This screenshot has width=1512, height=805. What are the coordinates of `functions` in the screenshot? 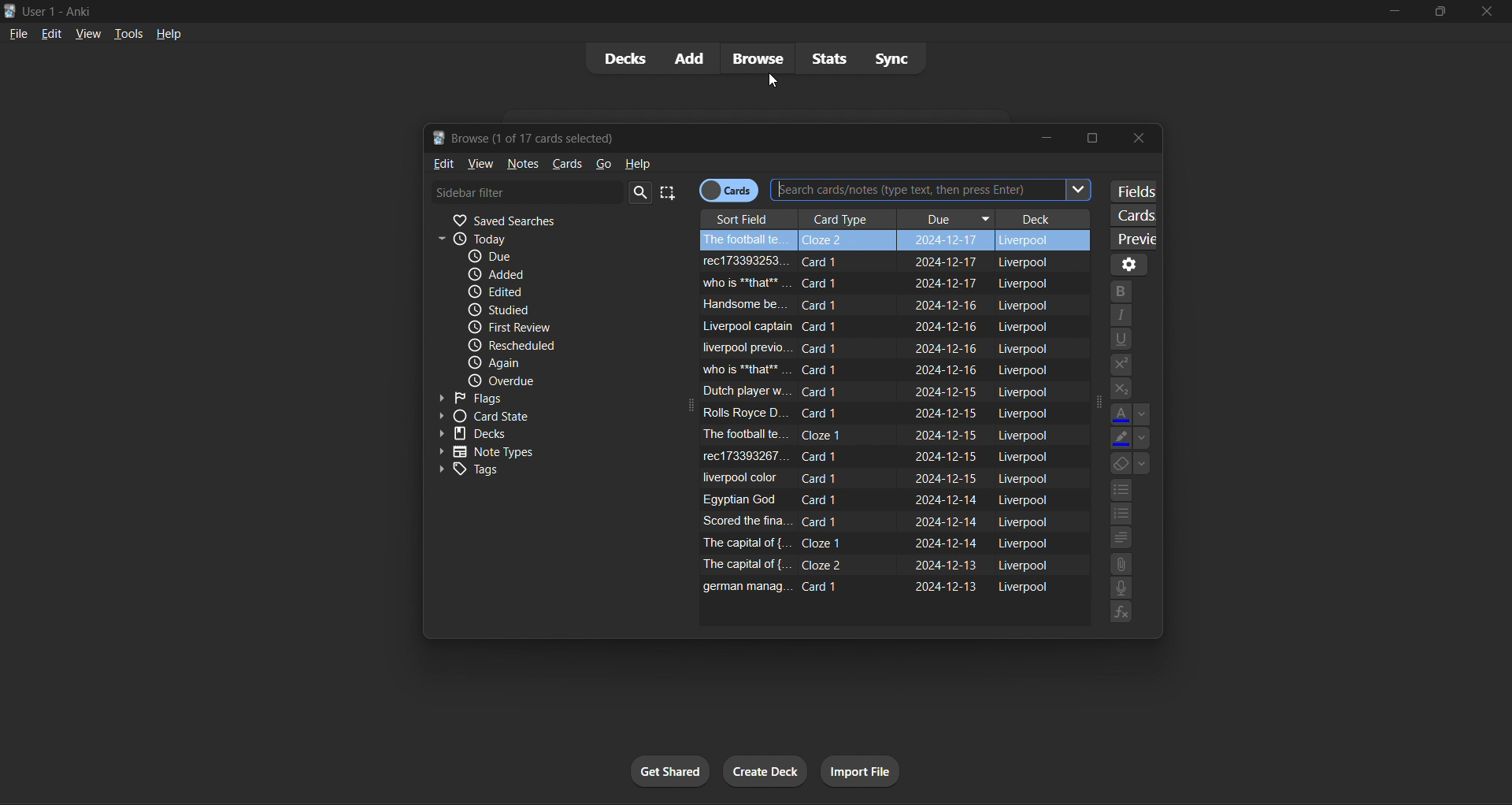 It's located at (1123, 610).